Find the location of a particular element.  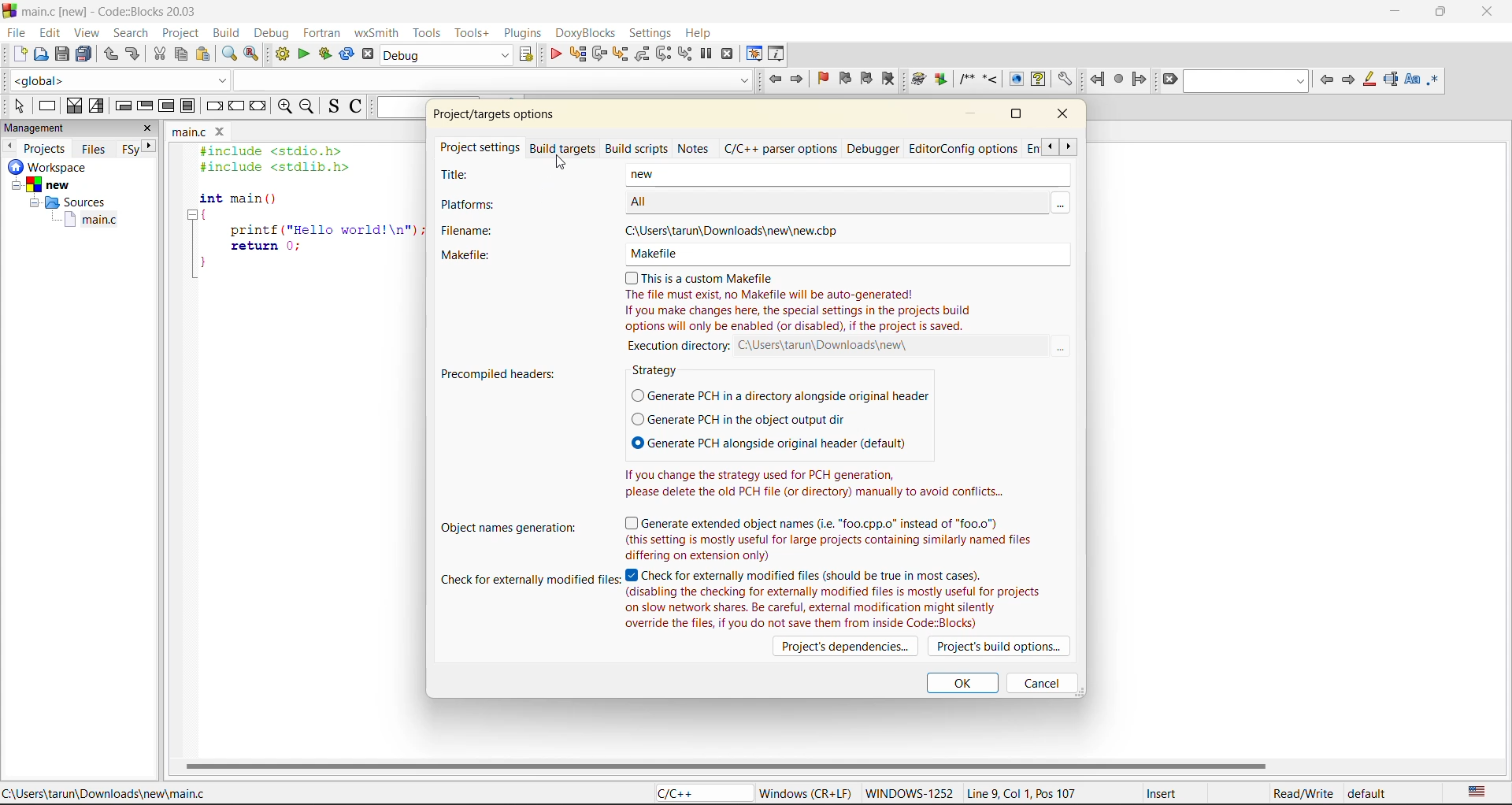

build is located at coordinates (229, 31).